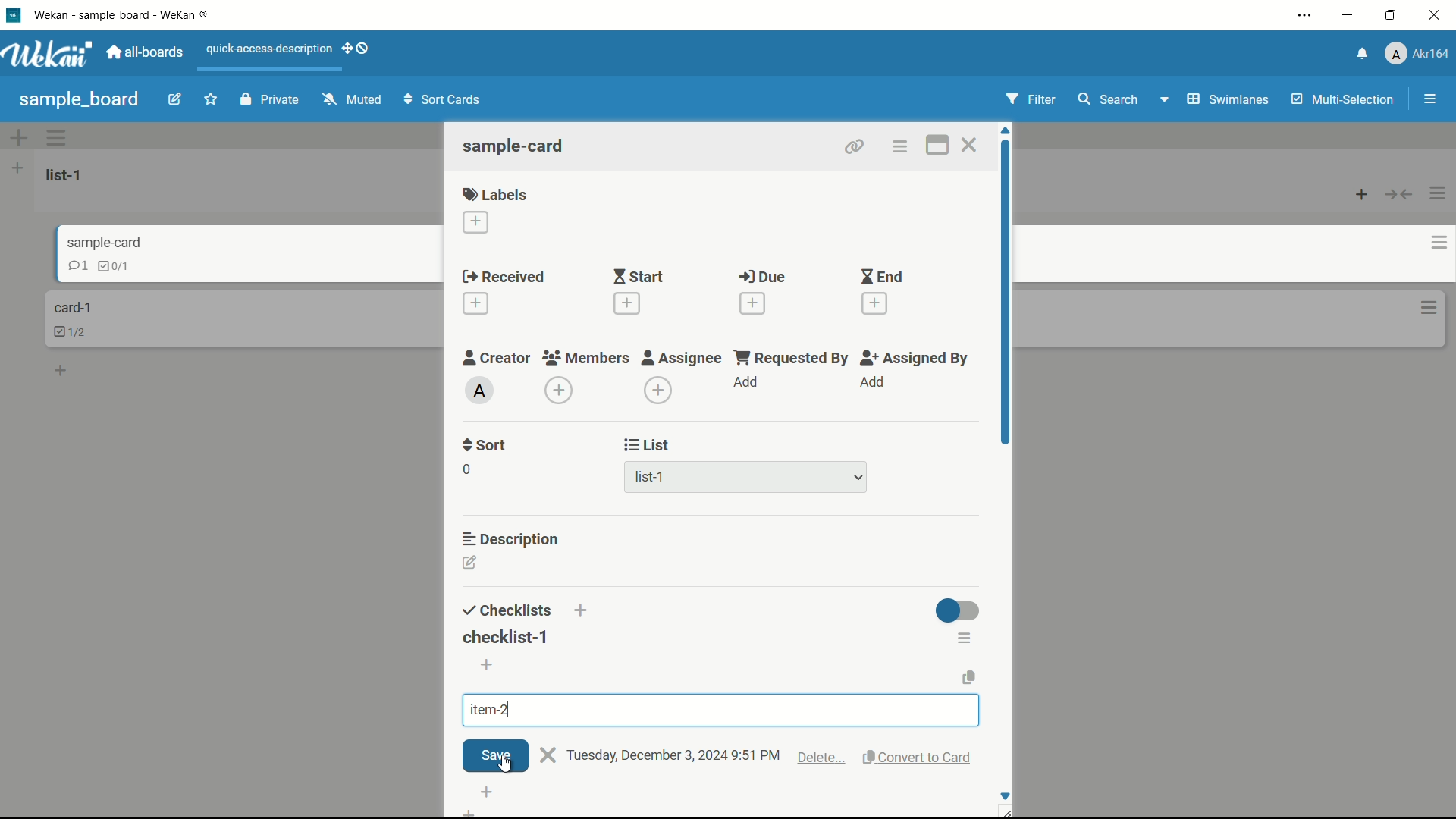 This screenshot has height=819, width=1456. What do you see at coordinates (966, 638) in the screenshot?
I see `checklist actions` at bounding box center [966, 638].